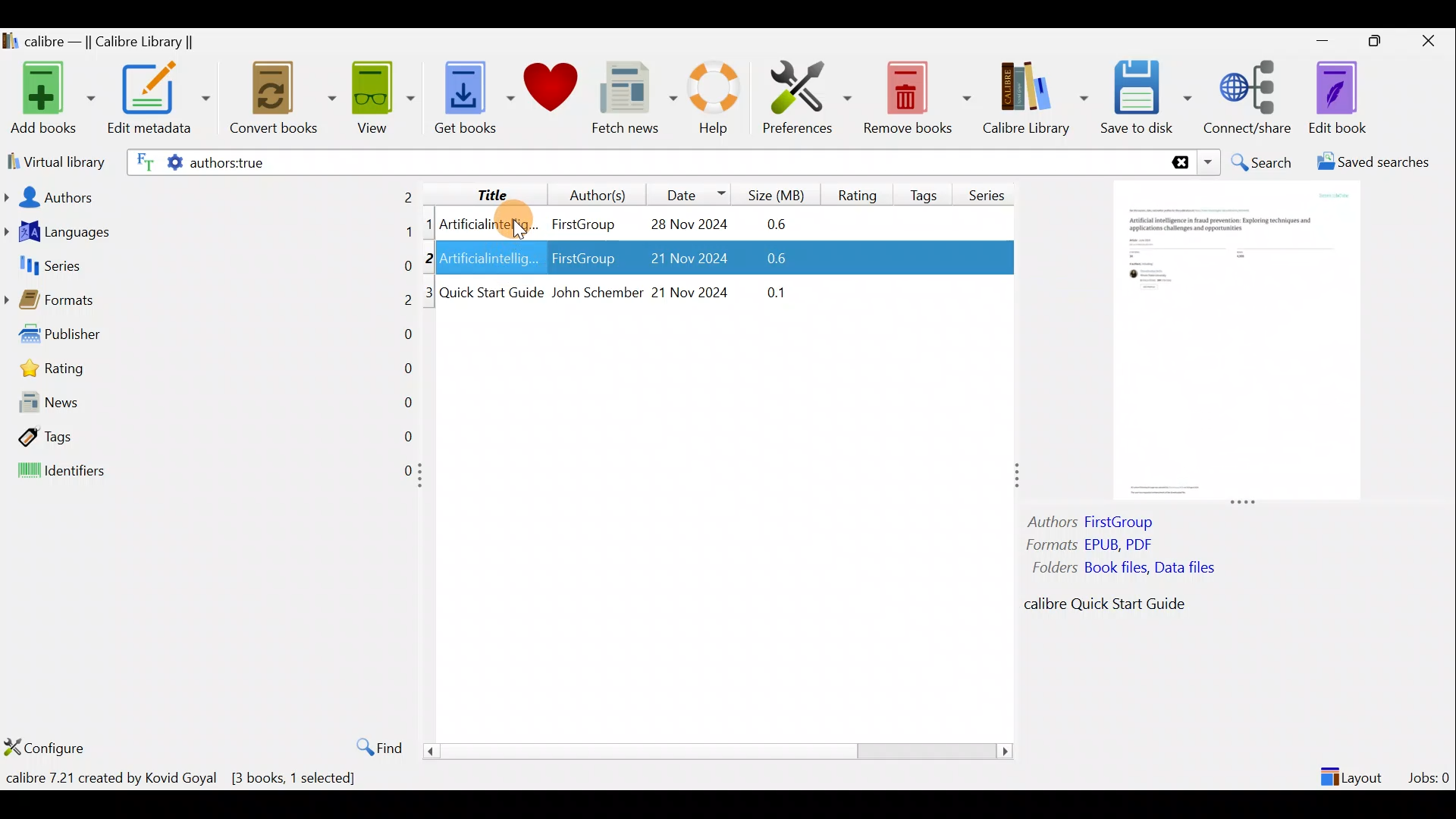 This screenshot has width=1456, height=819. I want to click on 3, so click(430, 293).